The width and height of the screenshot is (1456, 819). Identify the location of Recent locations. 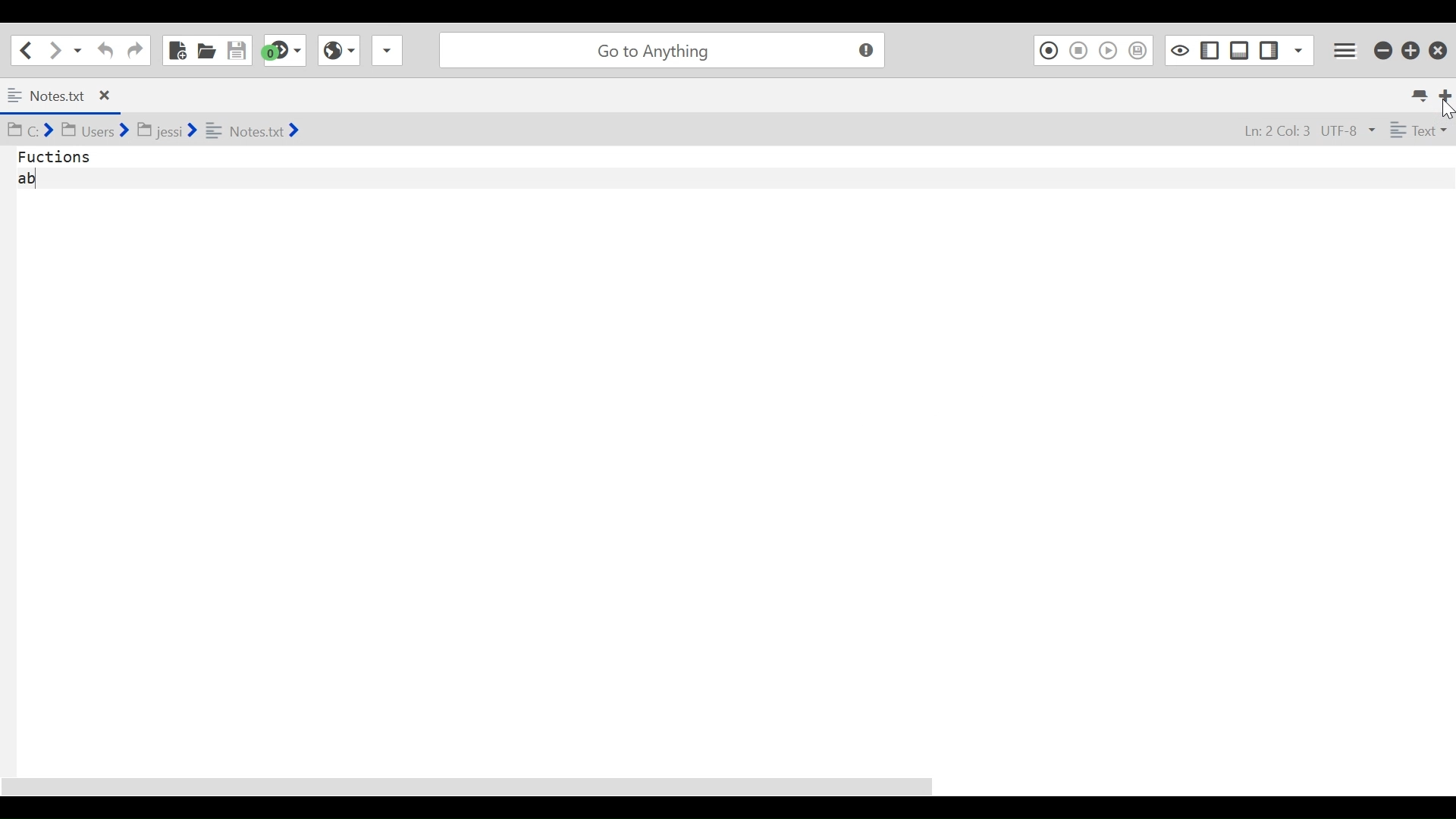
(78, 50).